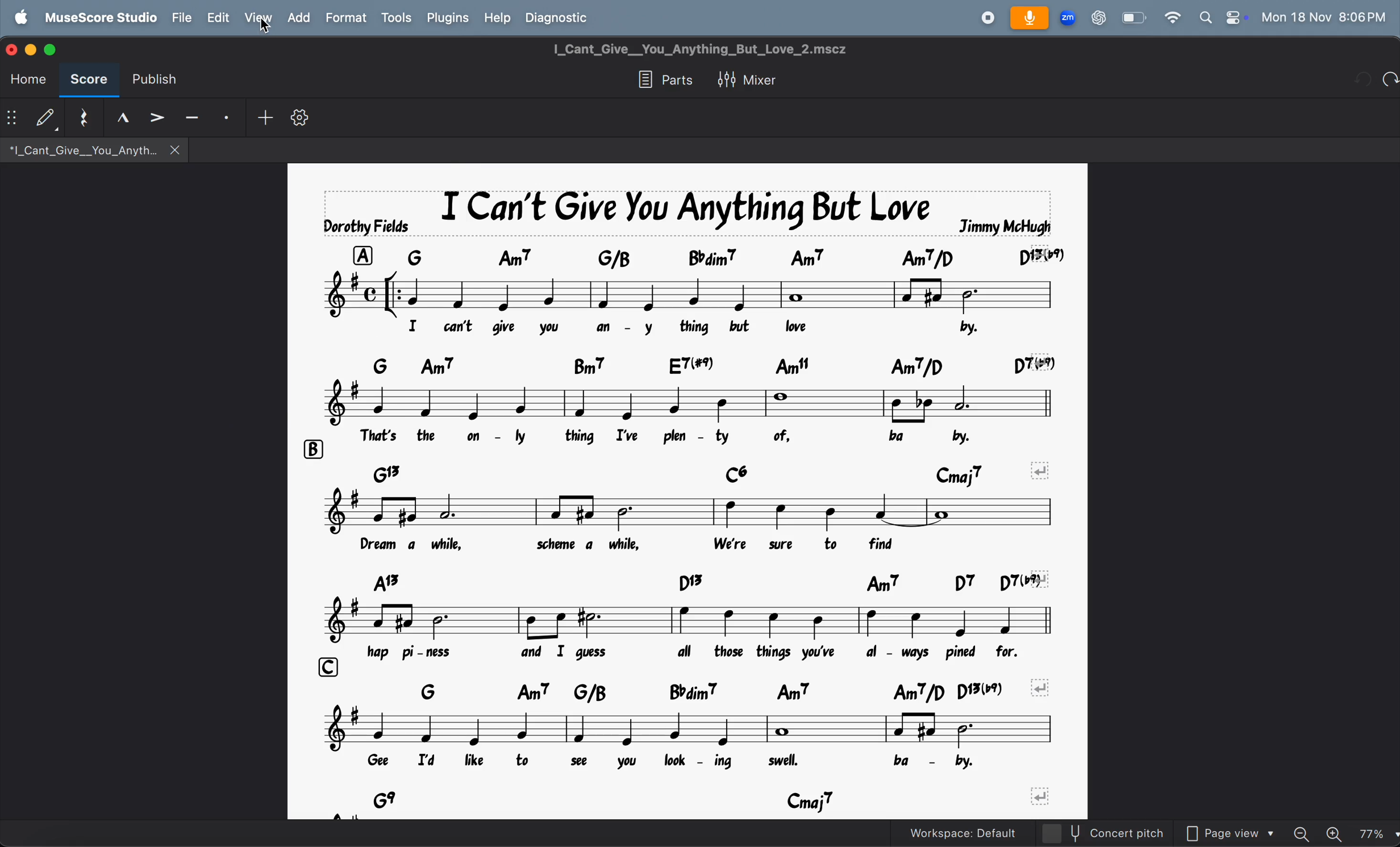  I want to click on zoom out, so click(1302, 834).